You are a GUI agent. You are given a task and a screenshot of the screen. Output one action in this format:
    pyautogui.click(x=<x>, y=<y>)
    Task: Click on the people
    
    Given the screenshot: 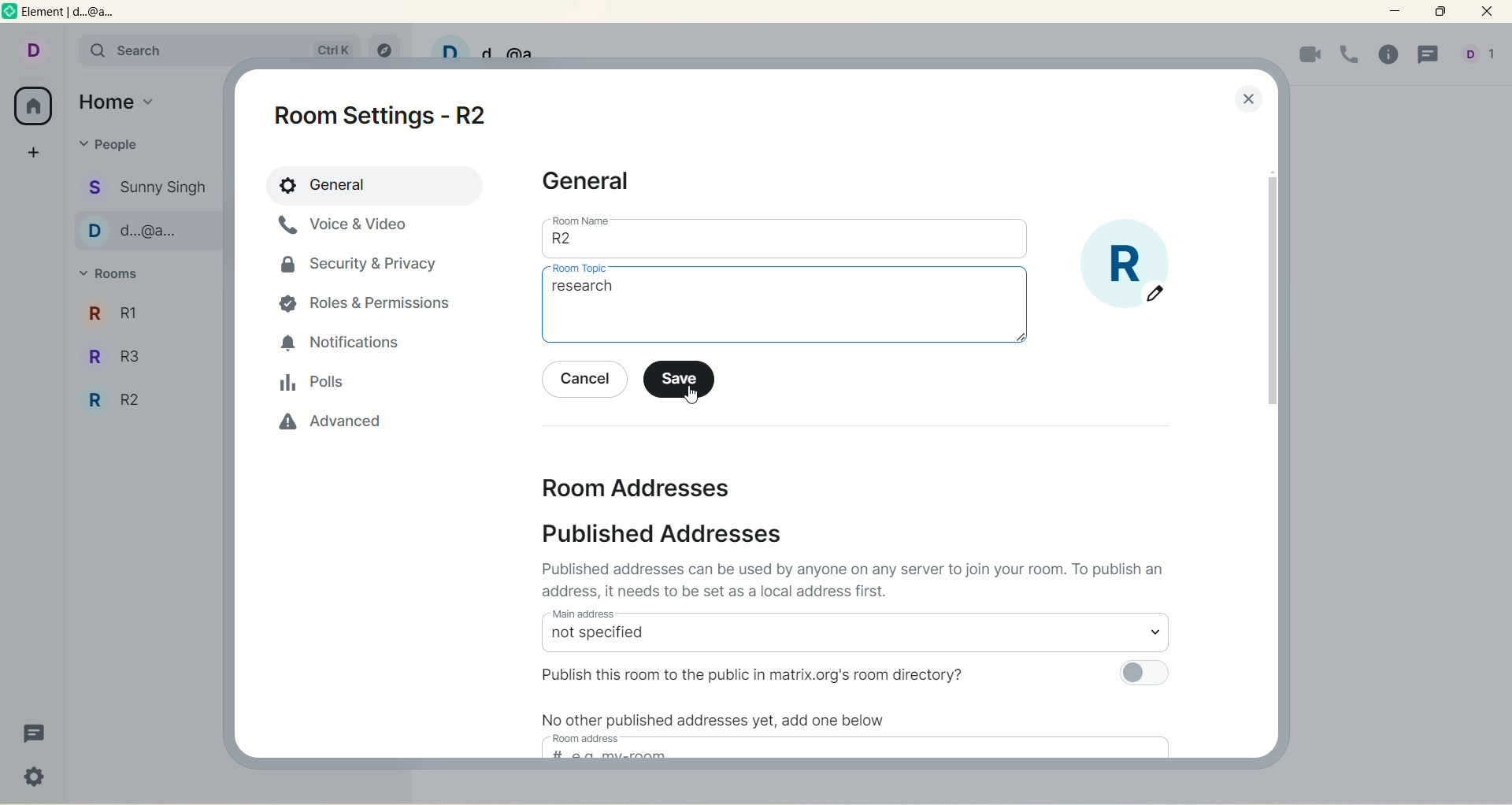 What is the action you would take?
    pyautogui.click(x=110, y=144)
    